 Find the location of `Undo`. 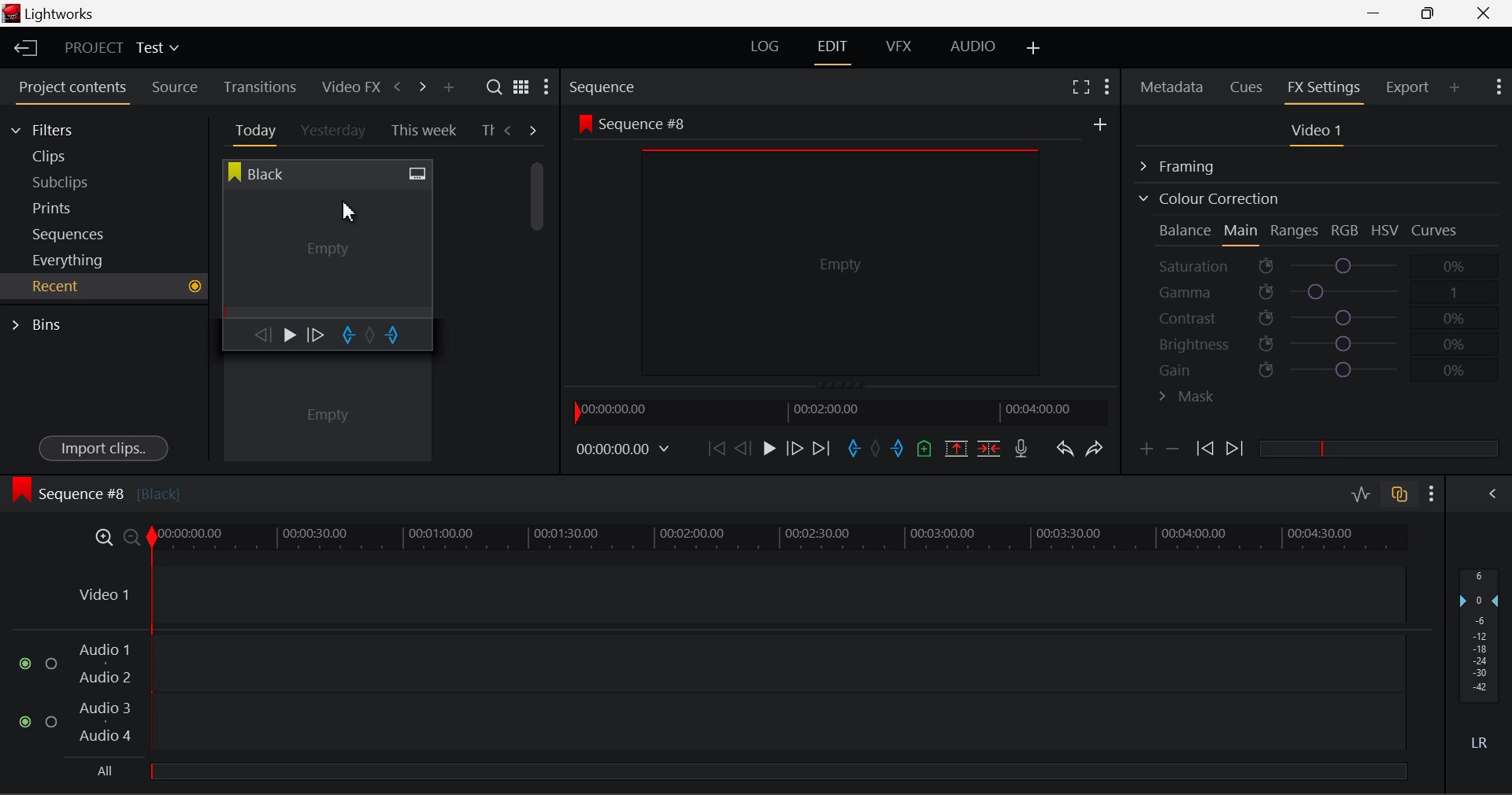

Undo is located at coordinates (1064, 452).